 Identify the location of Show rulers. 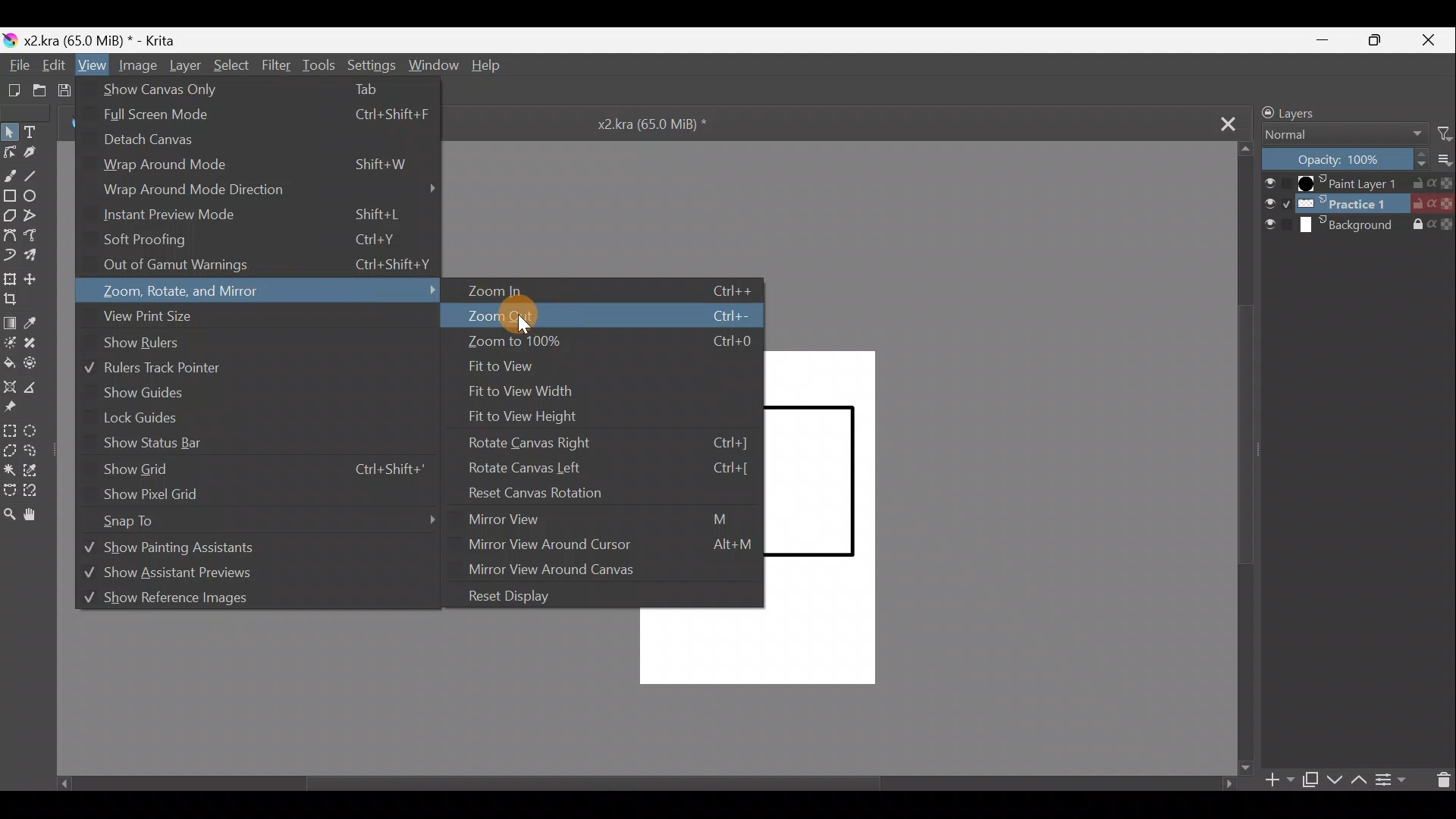
(165, 344).